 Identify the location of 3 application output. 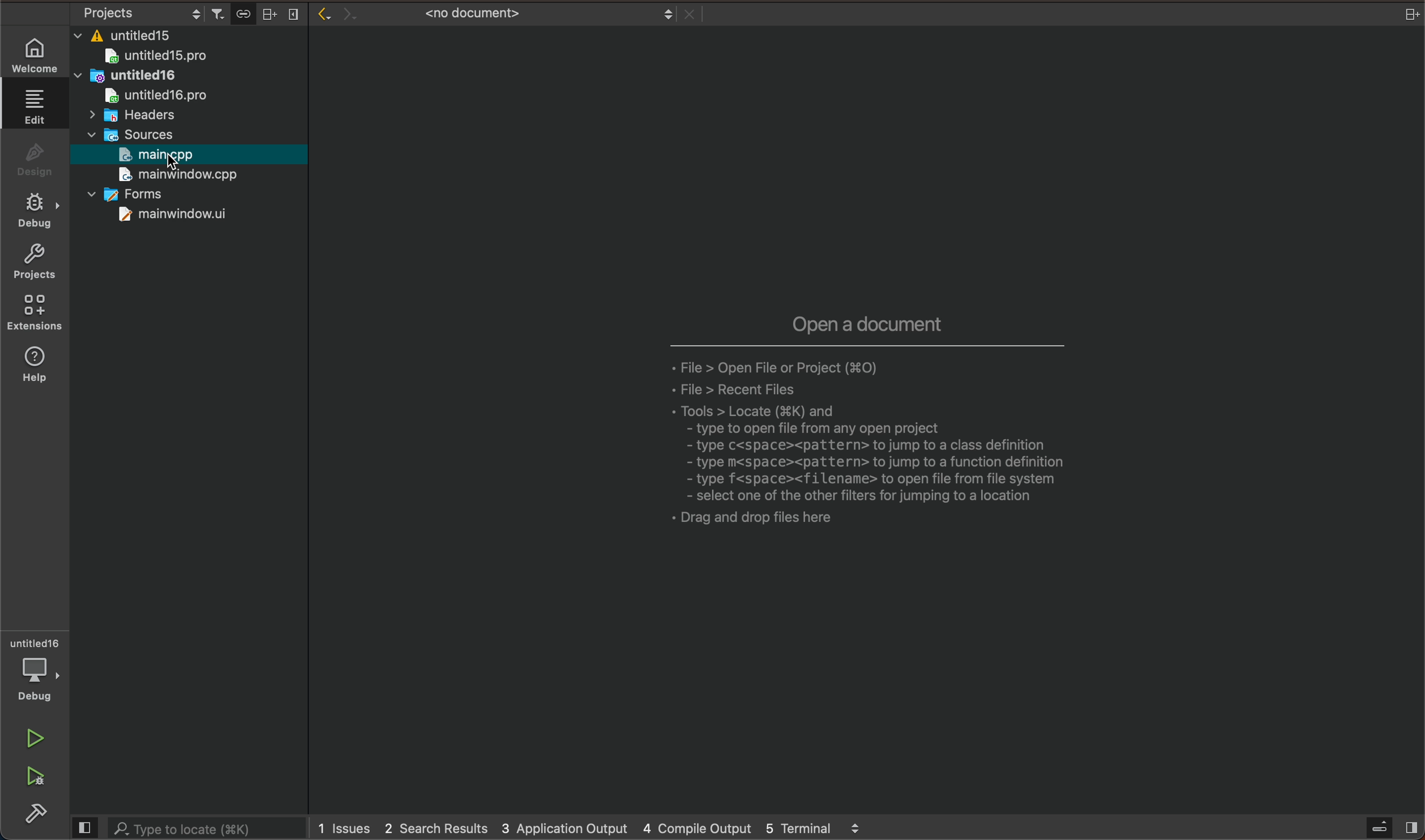
(566, 826).